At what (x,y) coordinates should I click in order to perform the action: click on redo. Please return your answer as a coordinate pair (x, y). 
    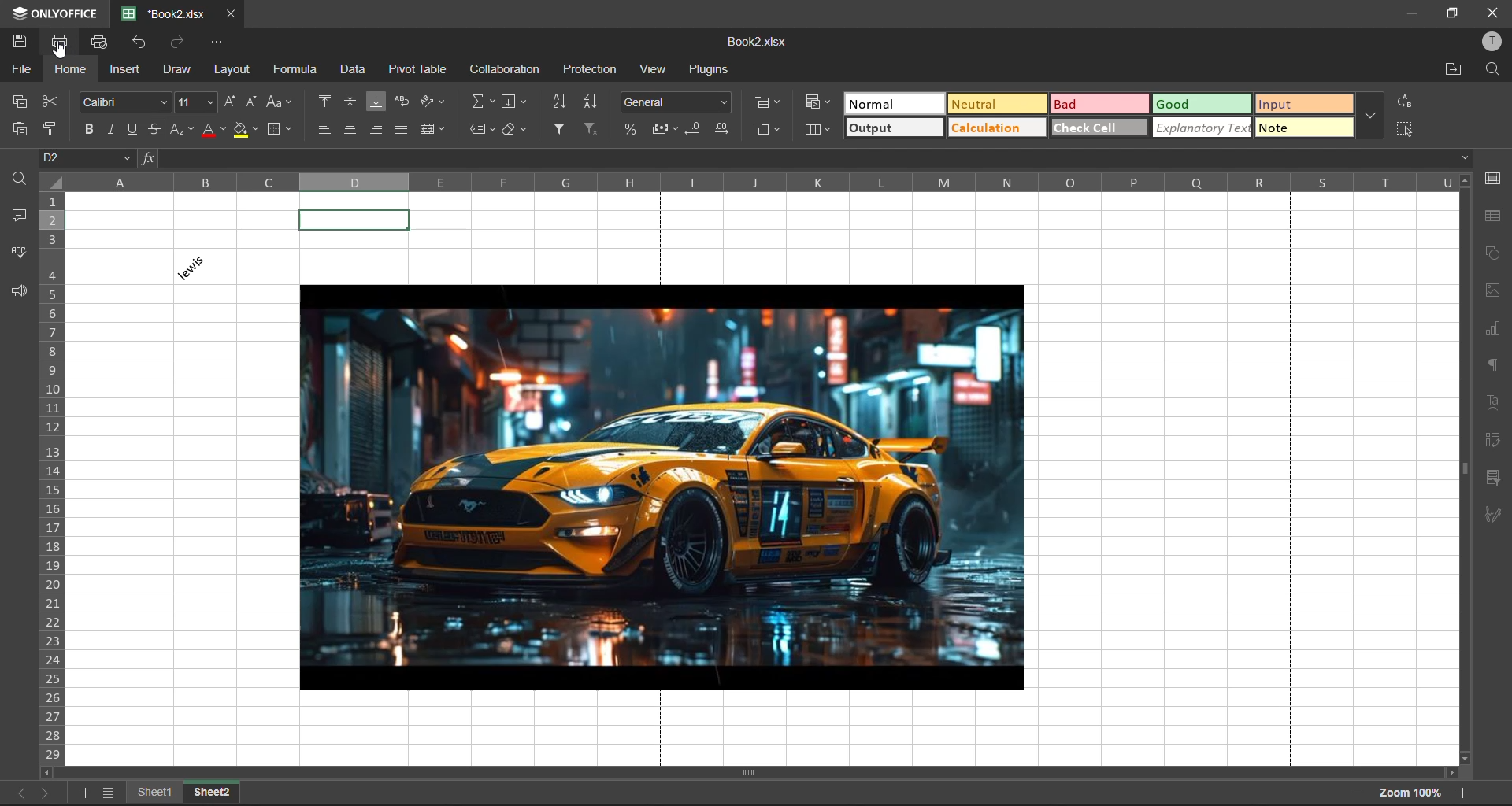
    Looking at the image, I should click on (179, 43).